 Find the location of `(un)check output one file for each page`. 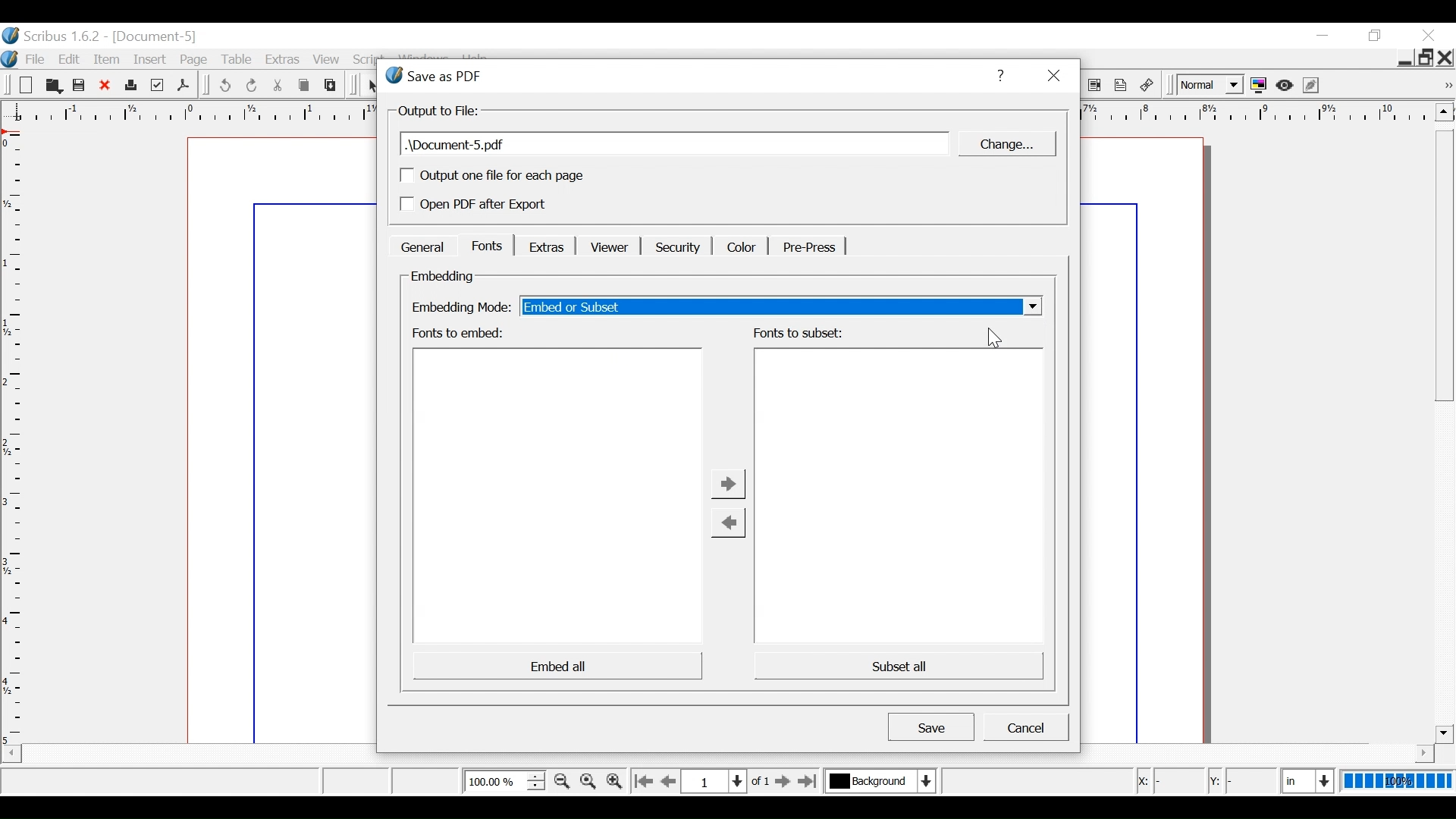

(un)check output one file for each page is located at coordinates (492, 175).